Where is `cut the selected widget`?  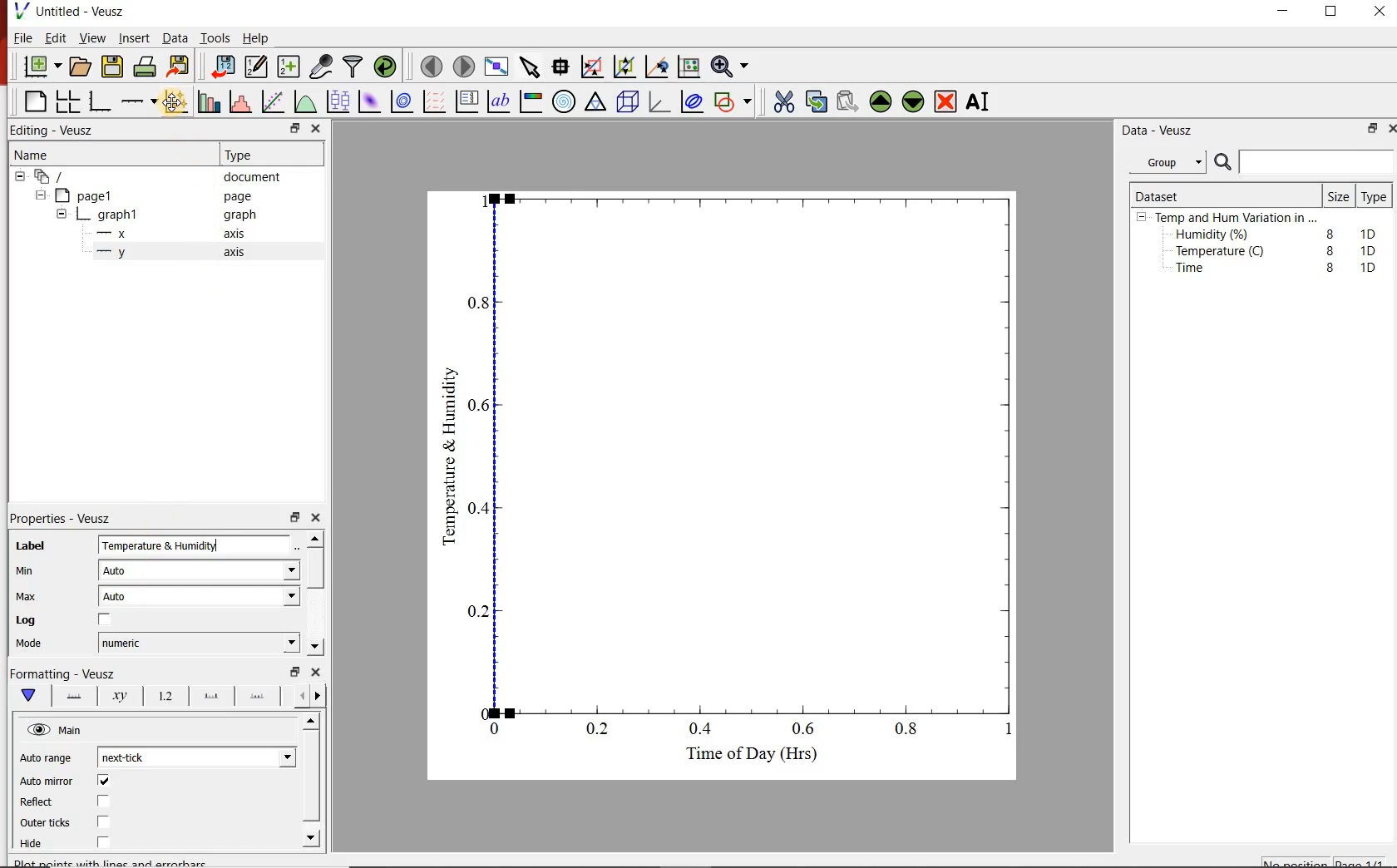
cut the selected widget is located at coordinates (782, 100).